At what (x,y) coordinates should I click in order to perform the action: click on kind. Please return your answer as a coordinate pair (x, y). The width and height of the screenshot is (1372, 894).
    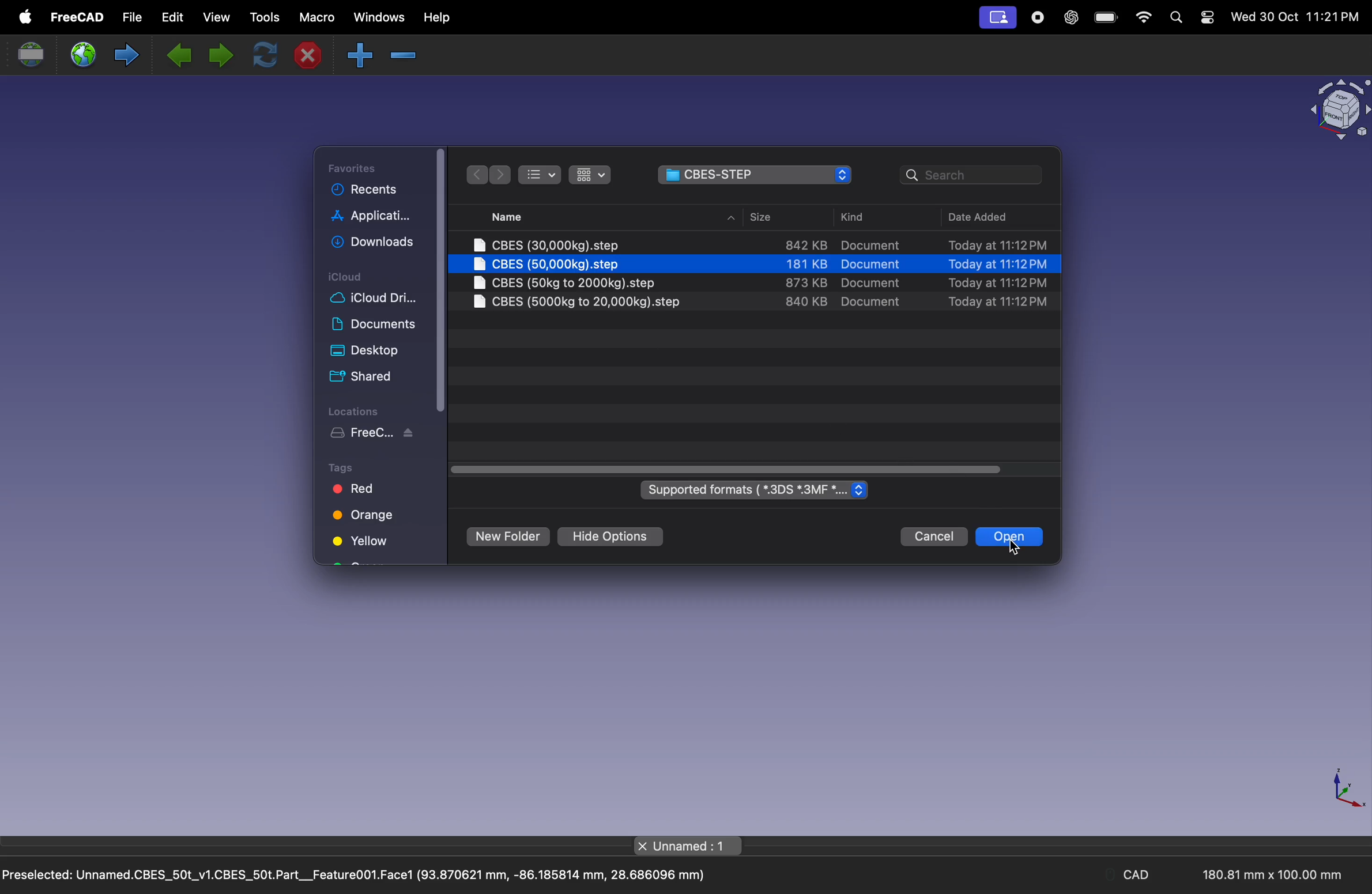
    Looking at the image, I should click on (858, 220).